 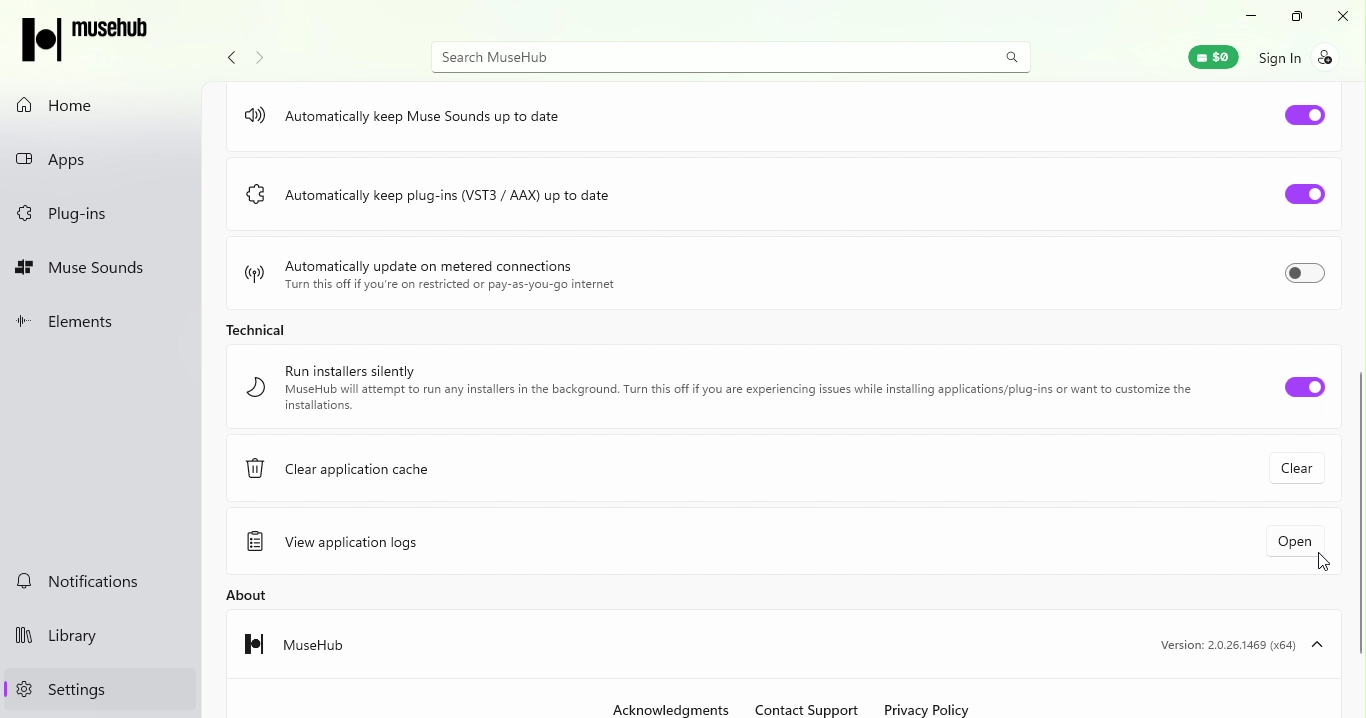 I want to click on Version, so click(x=1238, y=642).